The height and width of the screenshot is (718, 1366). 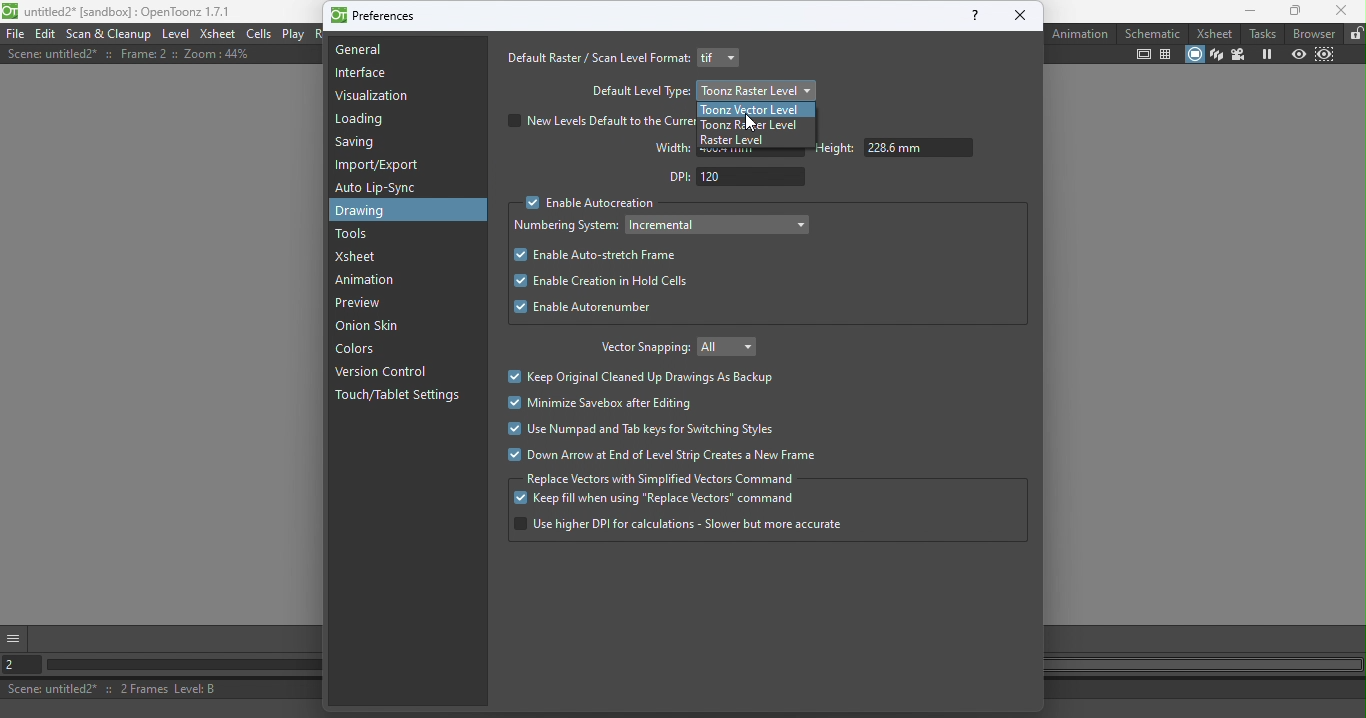 I want to click on Keep original cleaned up drawings as backup, so click(x=646, y=377).